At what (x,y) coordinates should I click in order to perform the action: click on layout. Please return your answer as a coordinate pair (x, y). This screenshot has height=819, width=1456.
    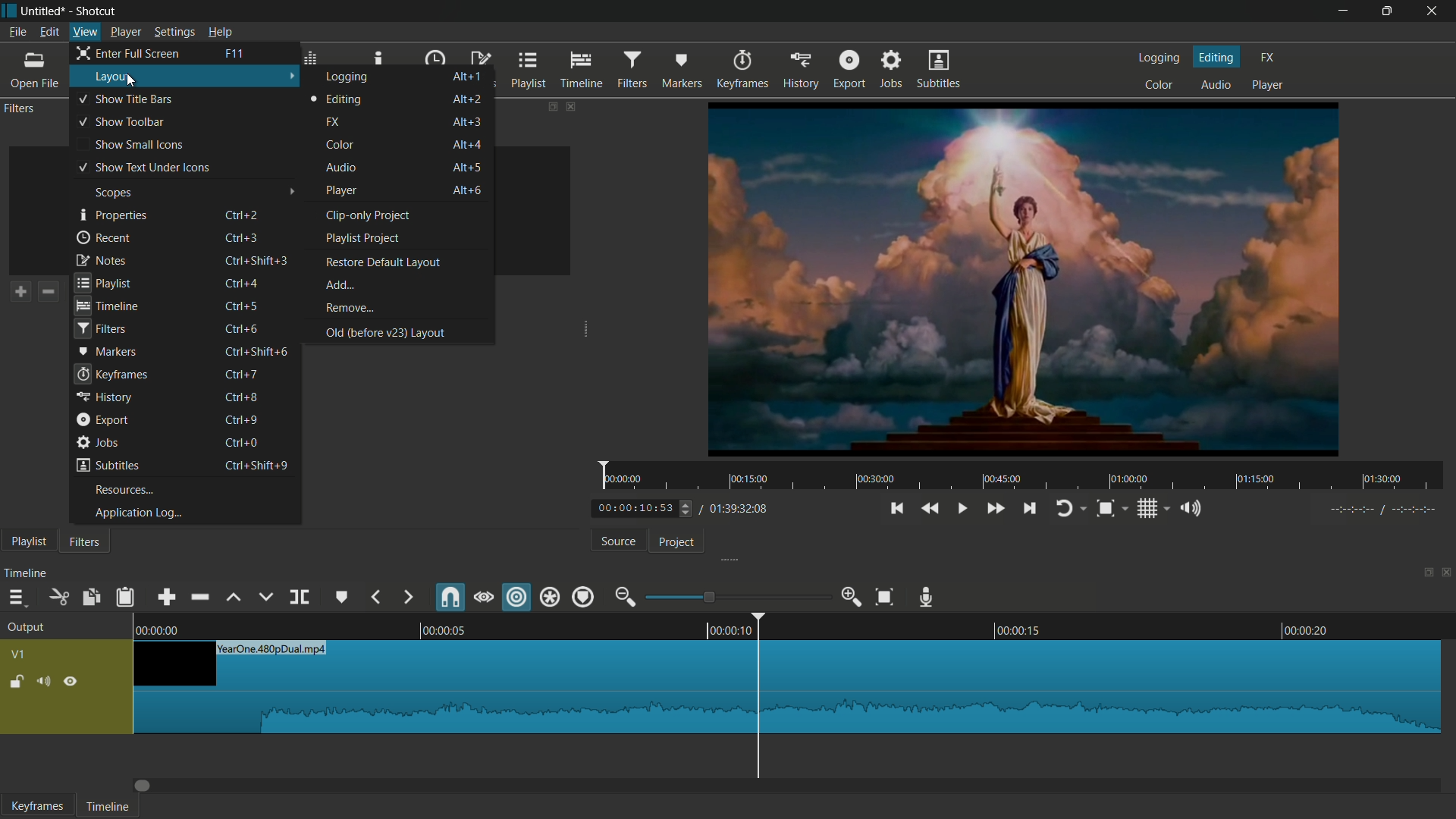
    Looking at the image, I should click on (115, 77).